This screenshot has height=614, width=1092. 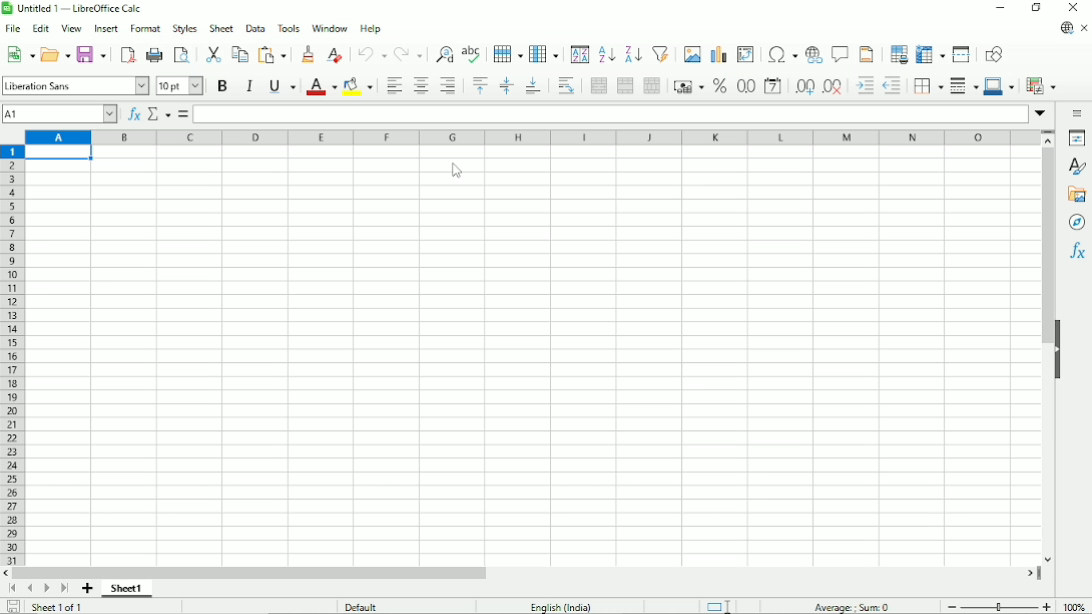 What do you see at coordinates (442, 53) in the screenshot?
I see `Find and replace` at bounding box center [442, 53].